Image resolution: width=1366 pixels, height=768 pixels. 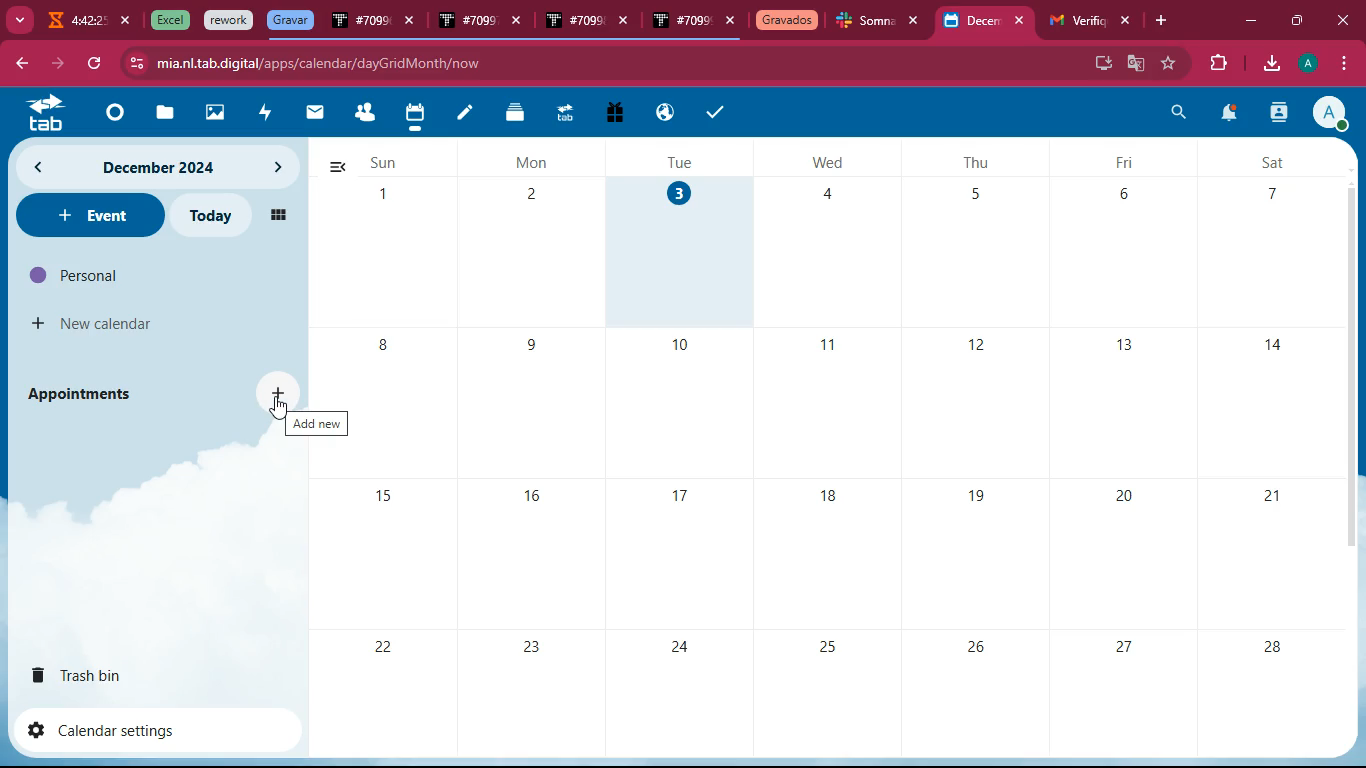 What do you see at coordinates (318, 63) in the screenshot?
I see `url` at bounding box center [318, 63].